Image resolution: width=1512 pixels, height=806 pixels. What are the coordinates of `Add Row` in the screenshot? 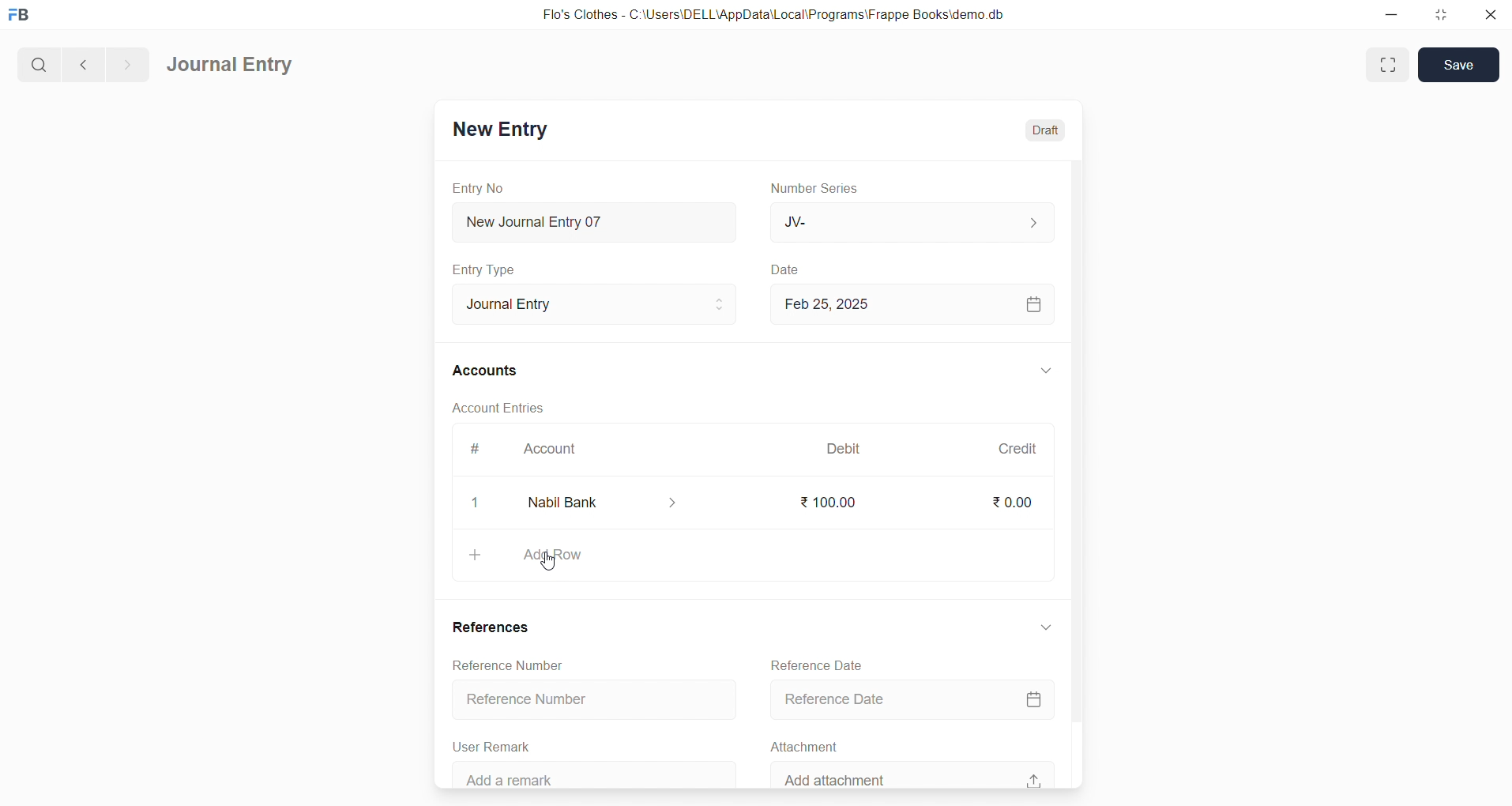 It's located at (754, 557).